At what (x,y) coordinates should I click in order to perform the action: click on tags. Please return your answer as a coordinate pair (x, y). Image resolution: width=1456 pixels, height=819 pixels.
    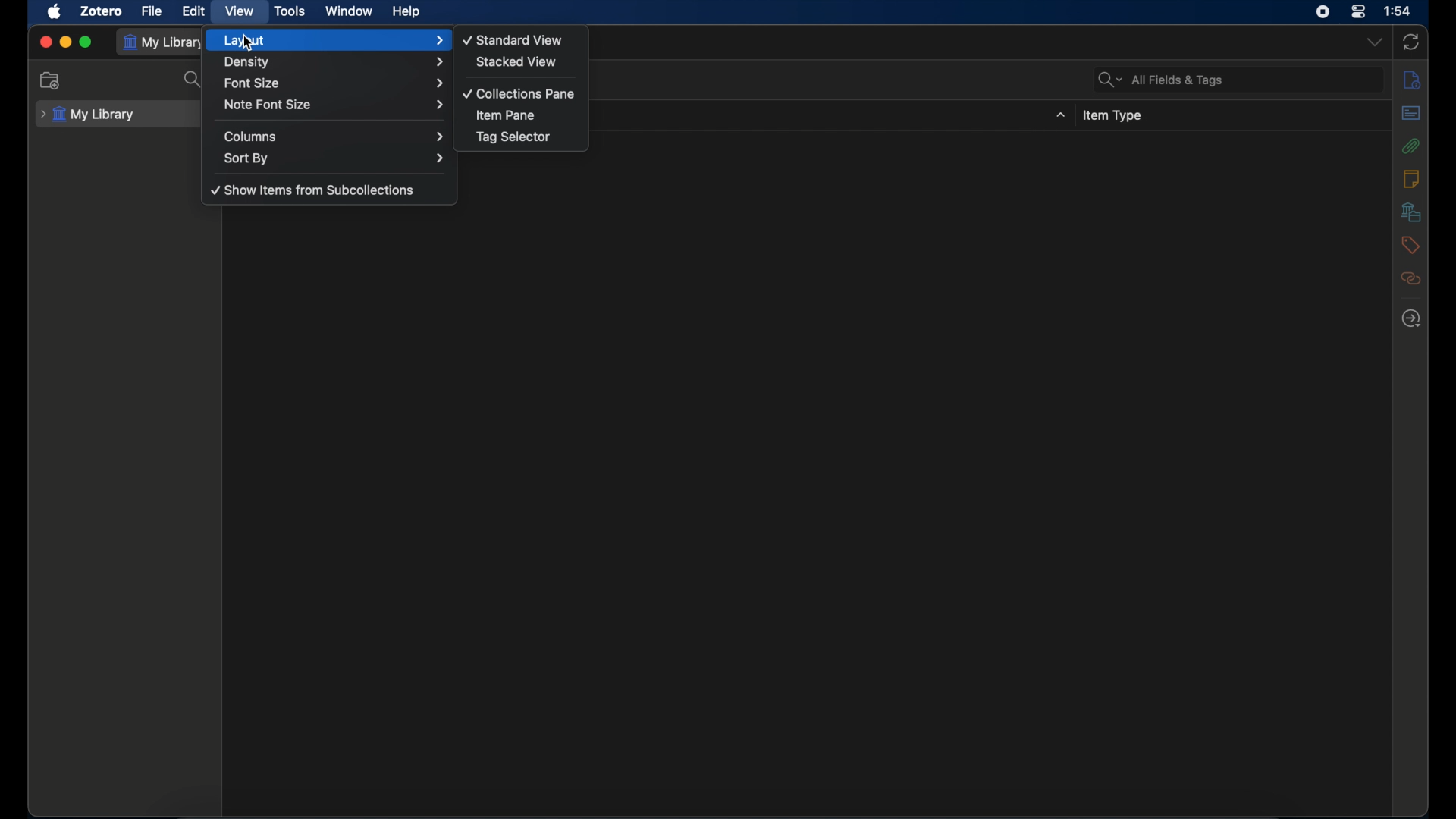
    Looking at the image, I should click on (1410, 246).